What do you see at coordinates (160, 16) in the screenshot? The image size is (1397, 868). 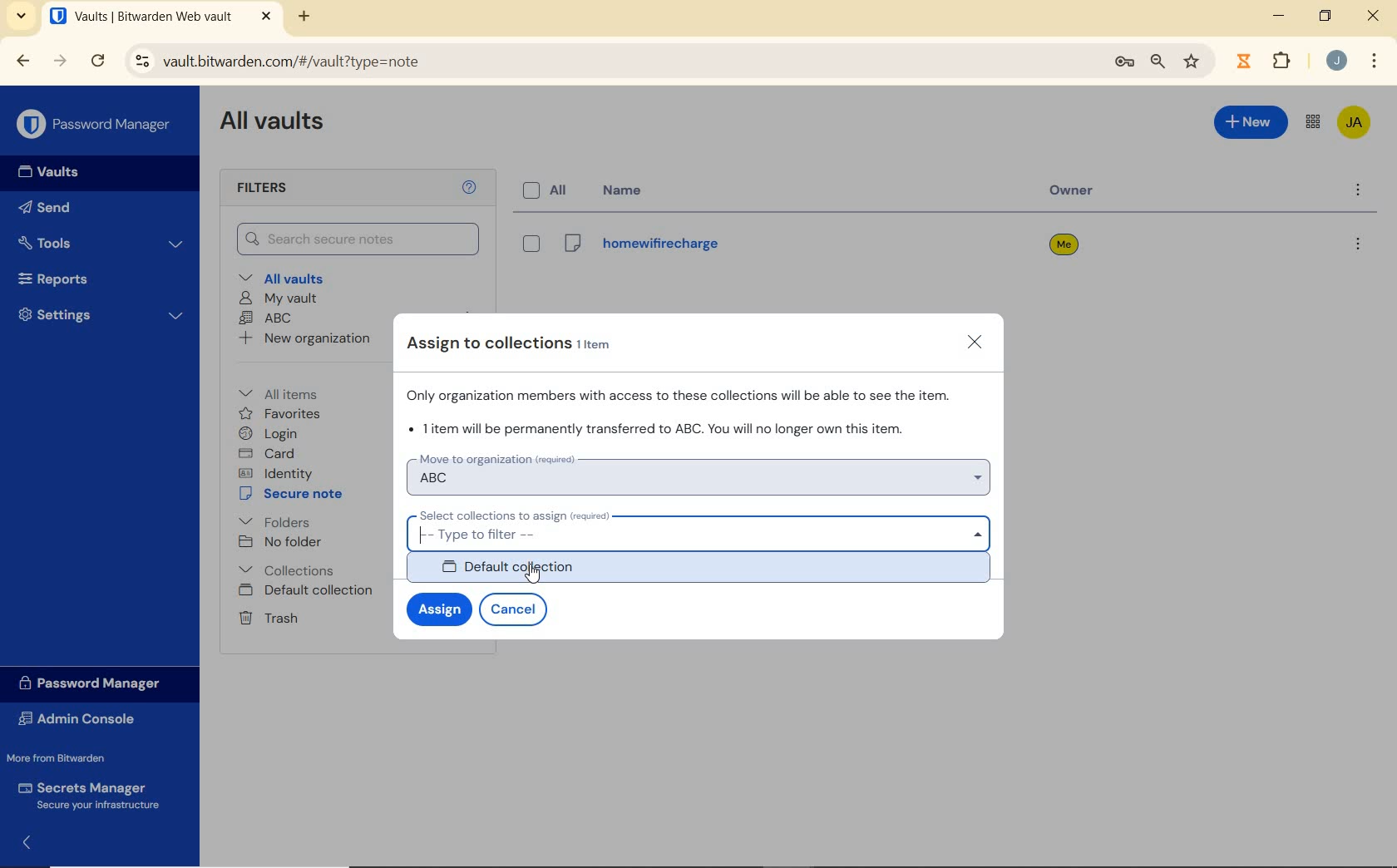 I see `open tab` at bounding box center [160, 16].